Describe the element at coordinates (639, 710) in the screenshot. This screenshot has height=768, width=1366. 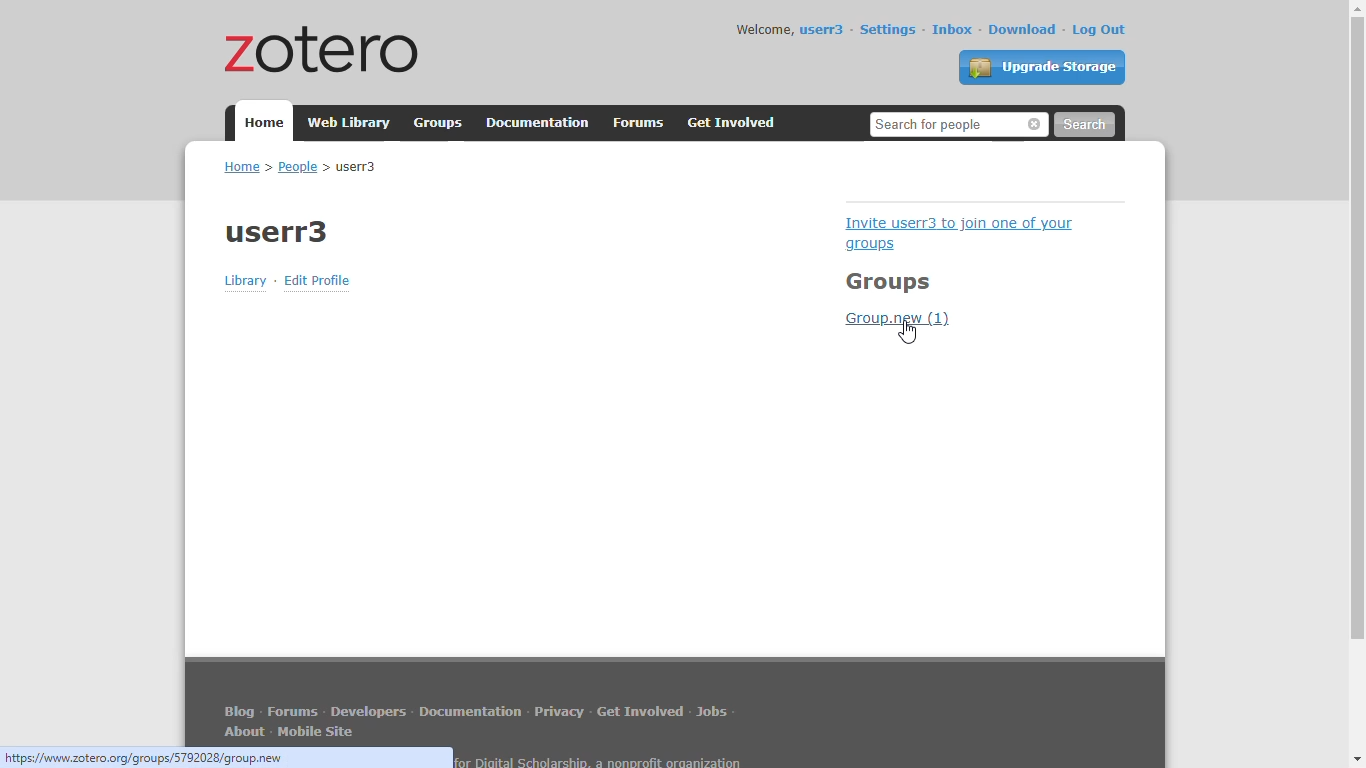
I see `get involved` at that location.